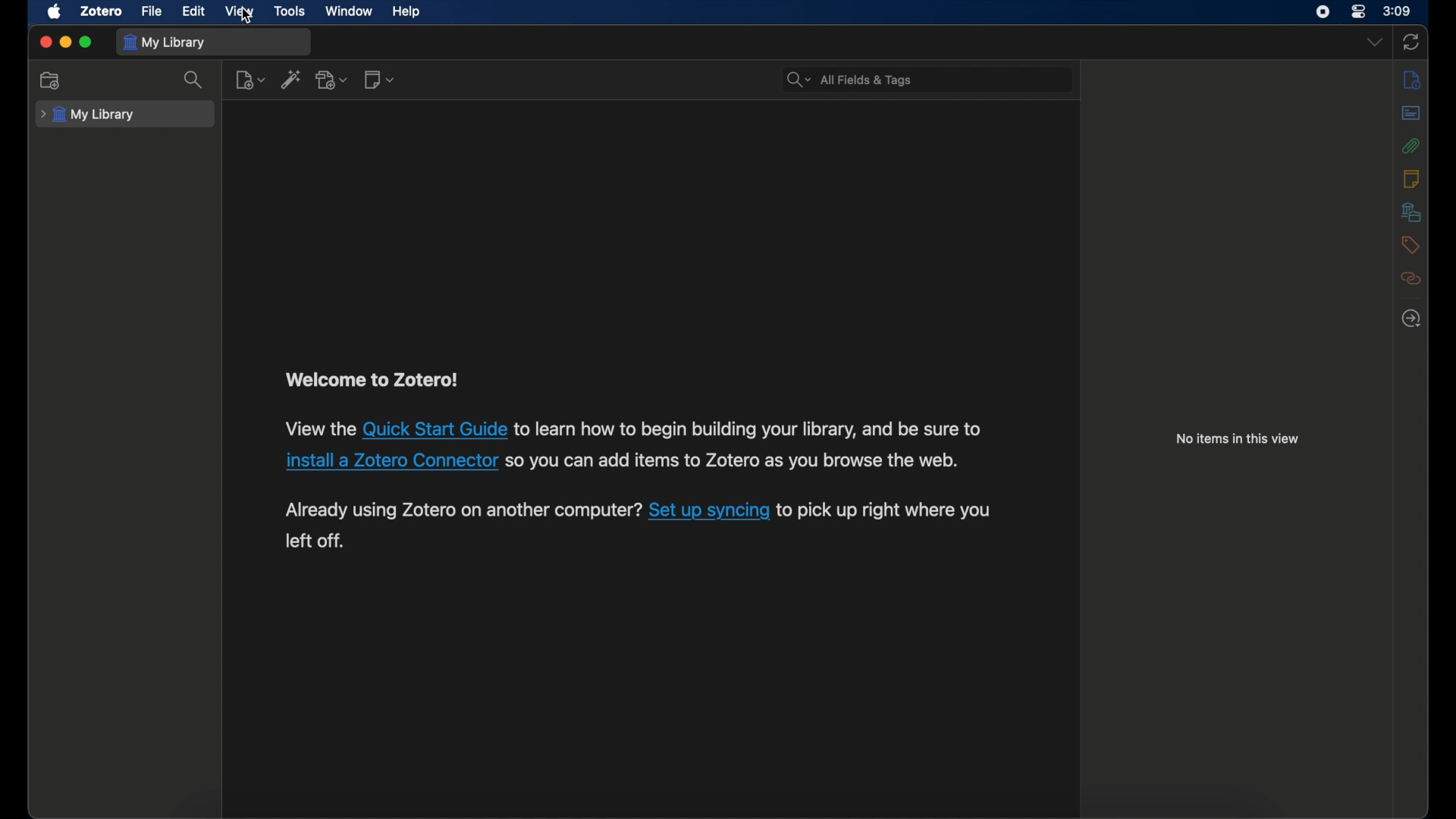 Image resolution: width=1456 pixels, height=819 pixels. Describe the element at coordinates (1411, 113) in the screenshot. I see `abstract` at that location.